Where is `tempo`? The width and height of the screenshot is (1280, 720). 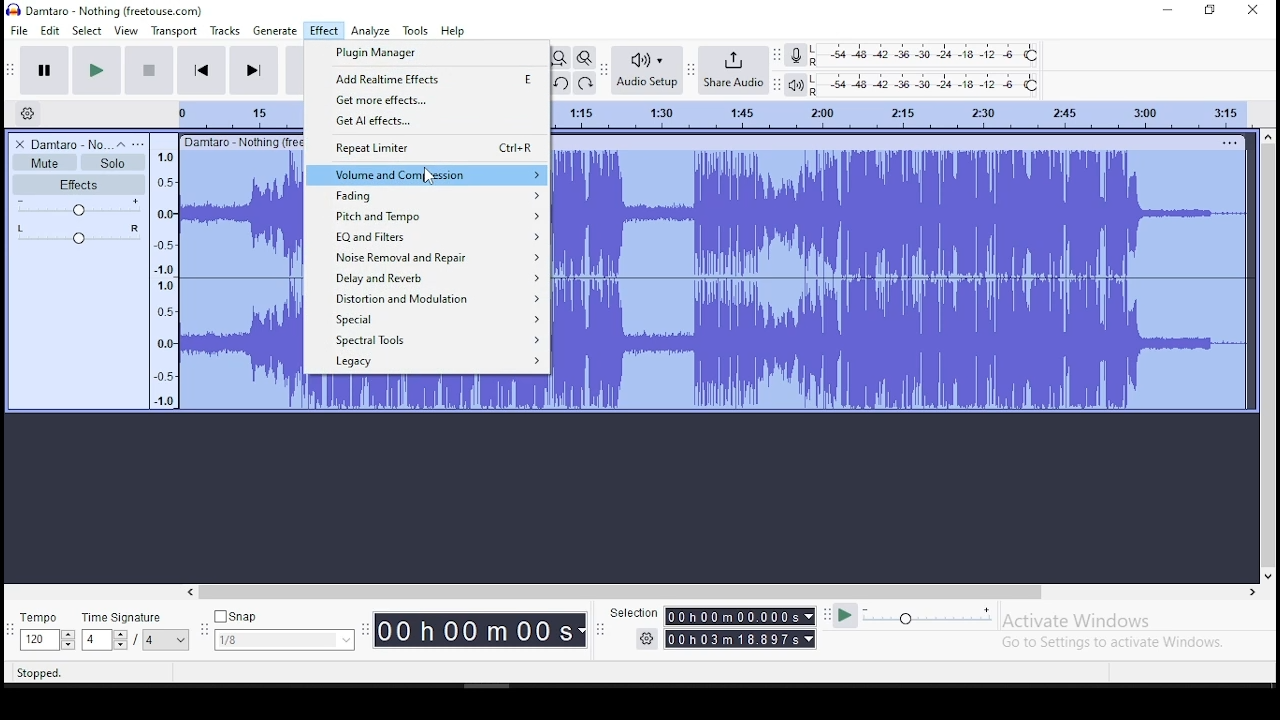 tempo is located at coordinates (44, 629).